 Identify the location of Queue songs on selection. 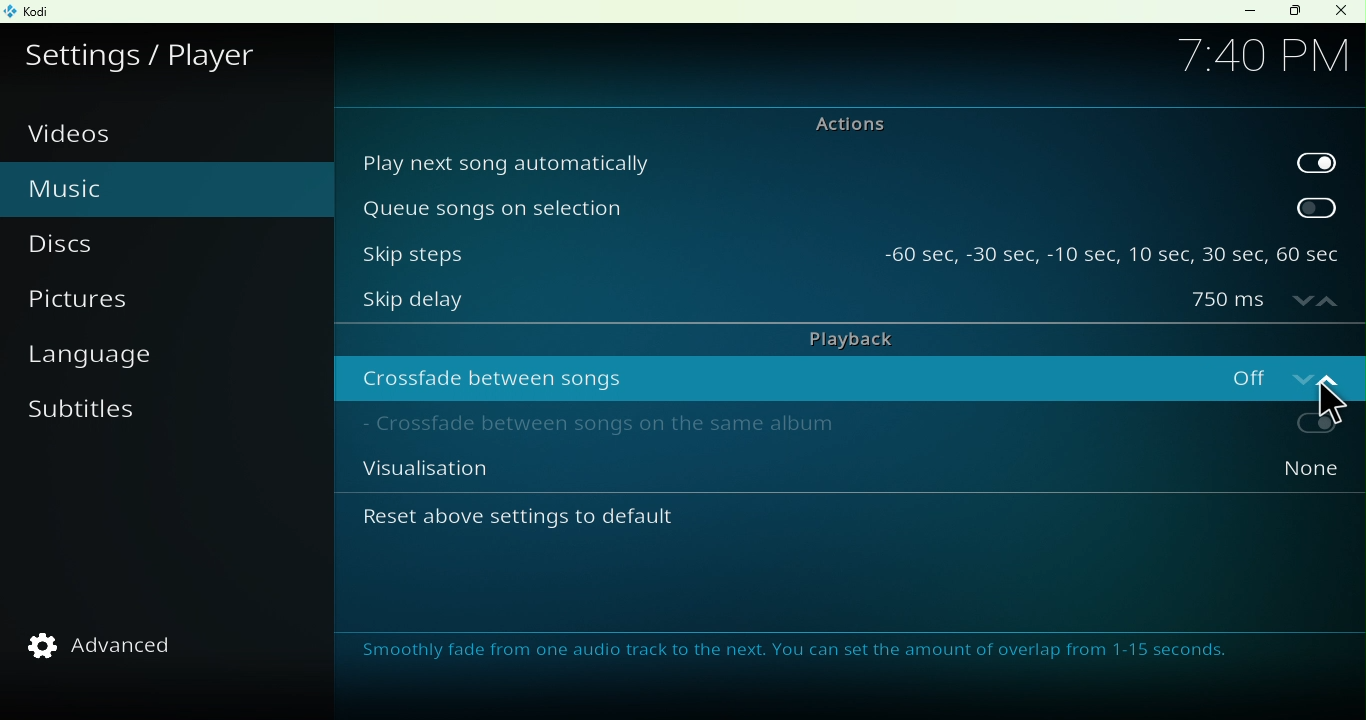
(810, 207).